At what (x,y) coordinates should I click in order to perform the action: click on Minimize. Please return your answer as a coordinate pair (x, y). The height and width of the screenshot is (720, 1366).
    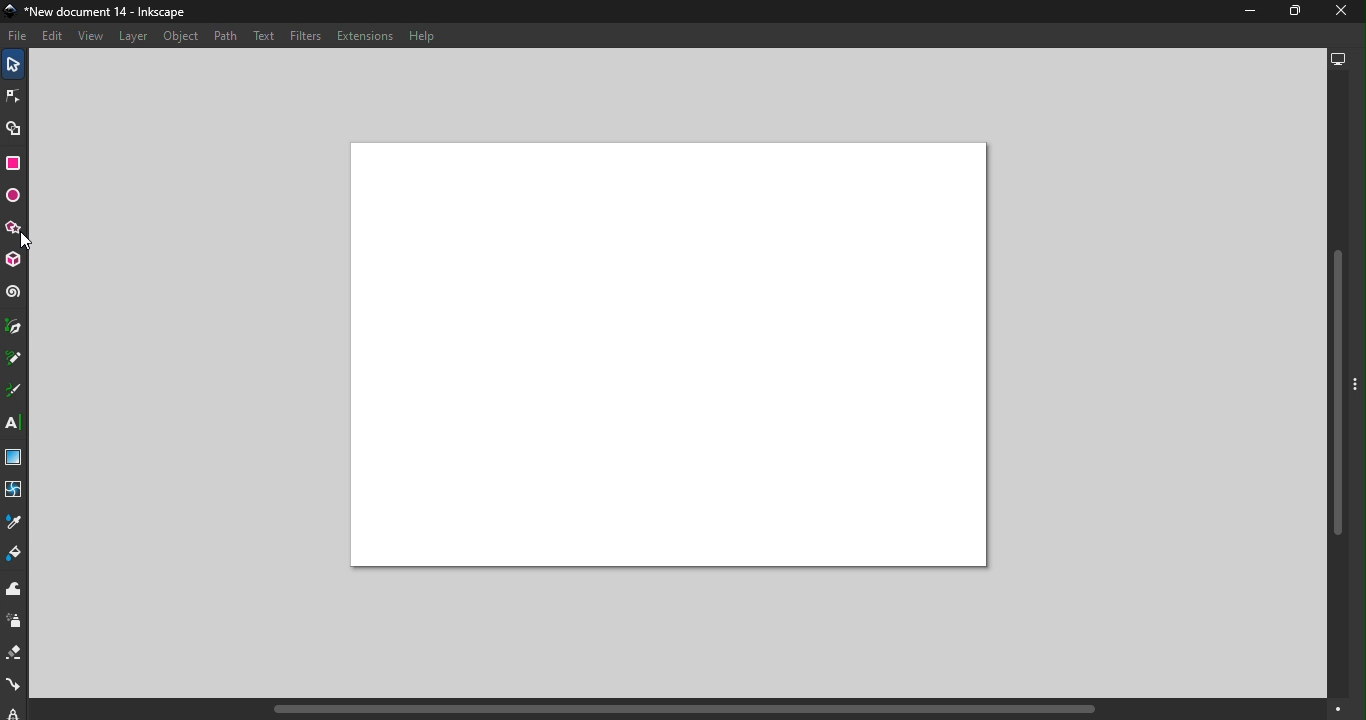
    Looking at the image, I should click on (1245, 15).